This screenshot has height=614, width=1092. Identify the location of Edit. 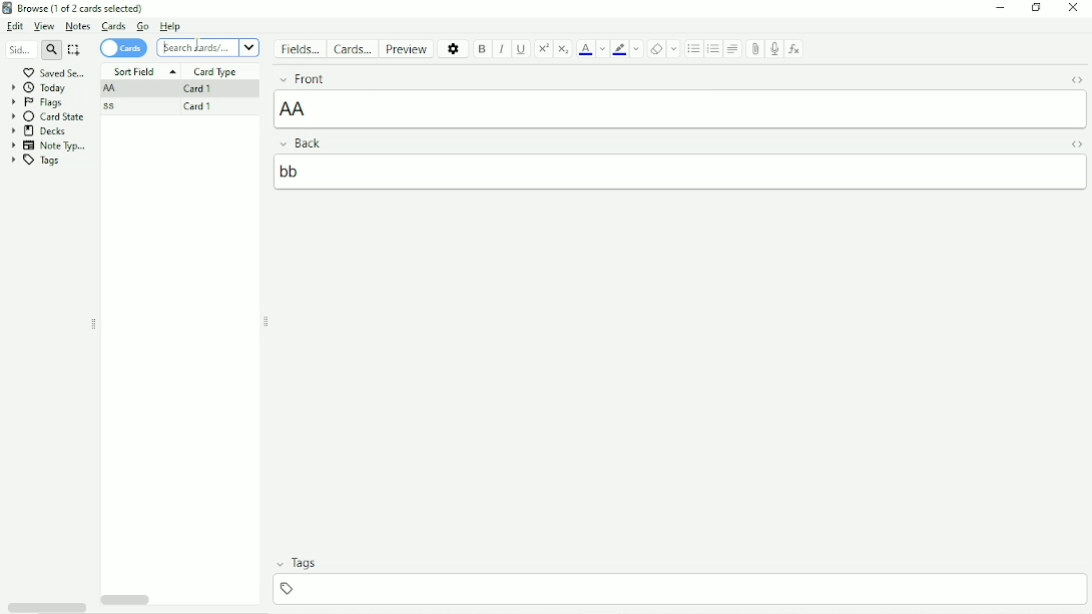
(16, 27).